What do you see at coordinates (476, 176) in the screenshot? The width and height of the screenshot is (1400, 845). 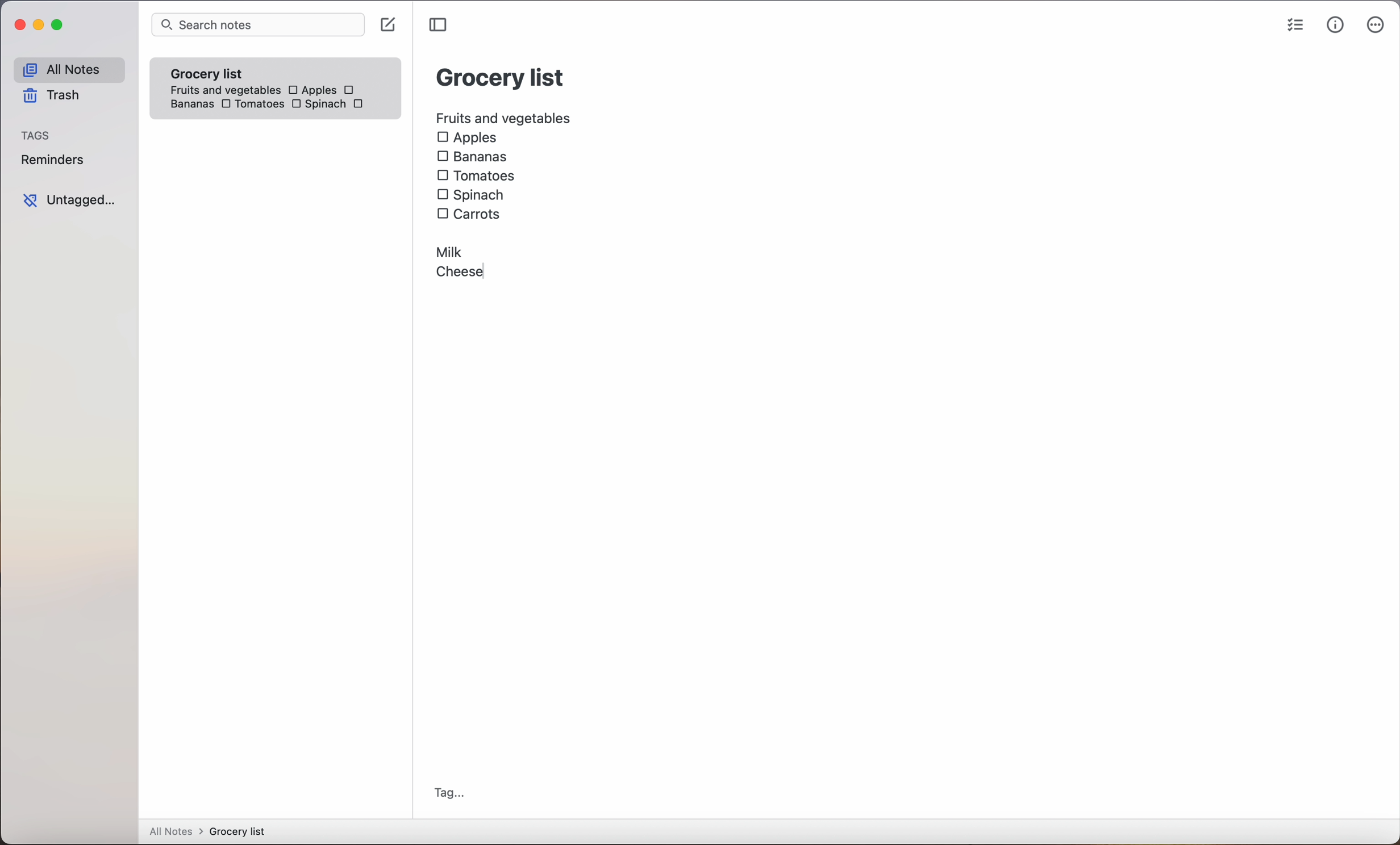 I see `Tomatoes checkbox` at bounding box center [476, 176].